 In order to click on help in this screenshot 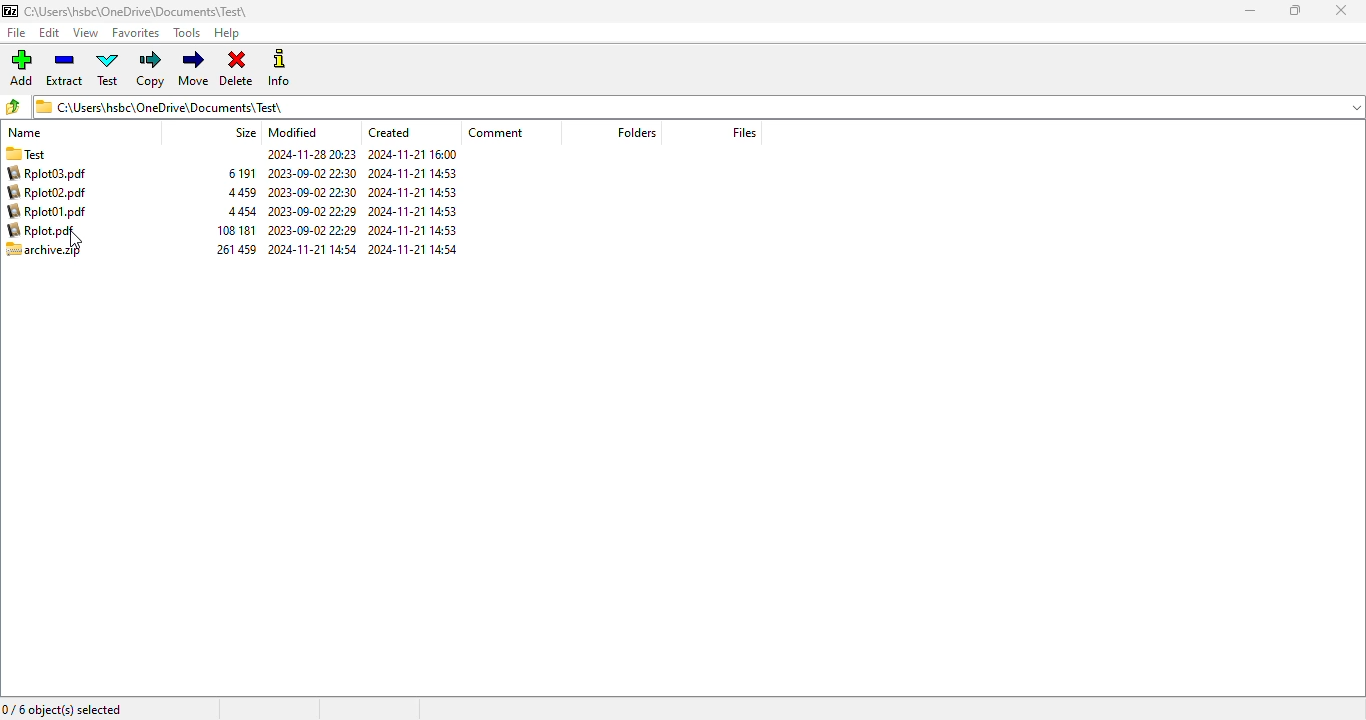, I will do `click(227, 33)`.